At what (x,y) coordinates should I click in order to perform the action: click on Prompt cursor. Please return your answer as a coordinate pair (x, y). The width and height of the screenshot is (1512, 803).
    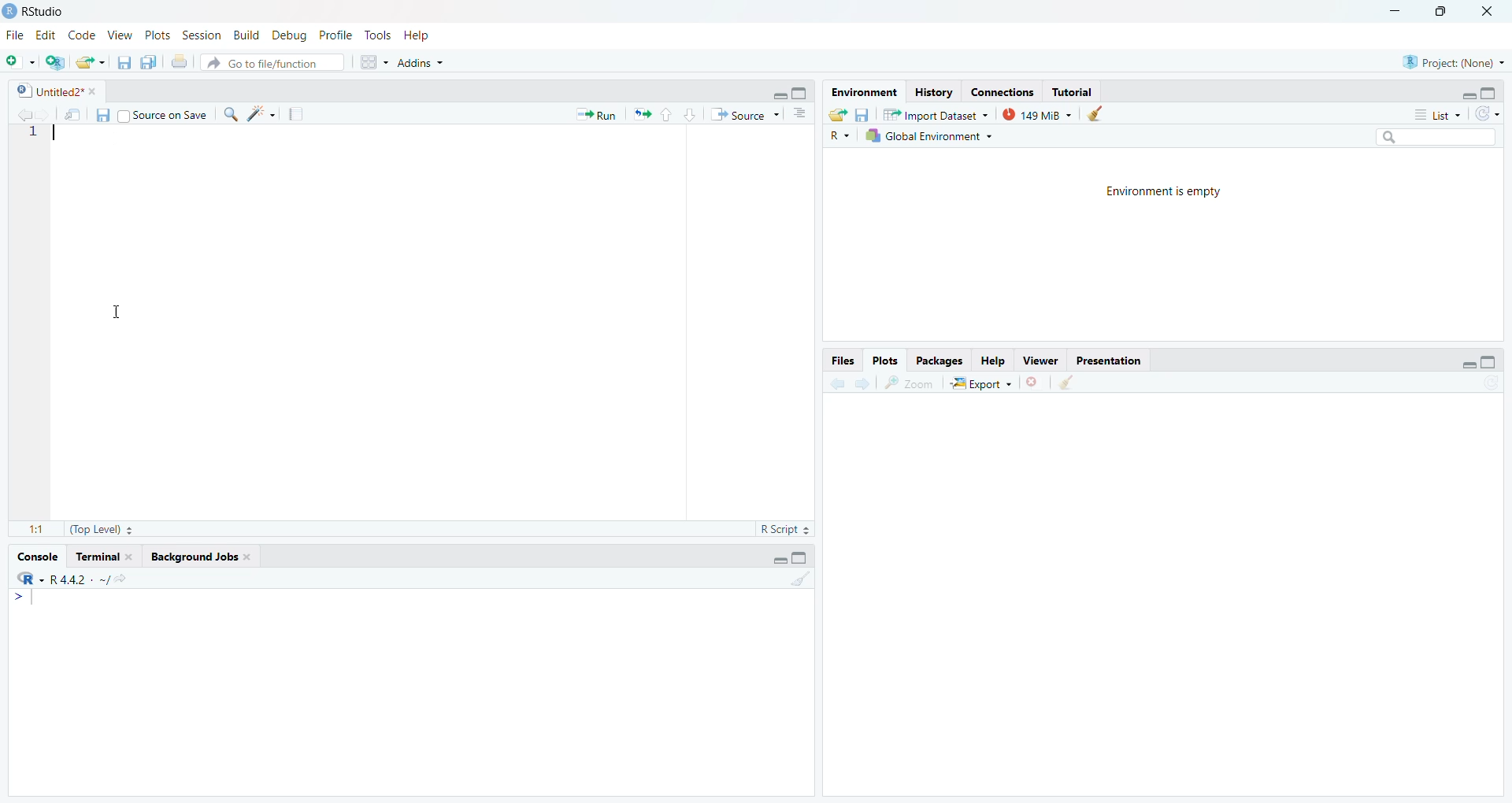
    Looking at the image, I should click on (20, 598).